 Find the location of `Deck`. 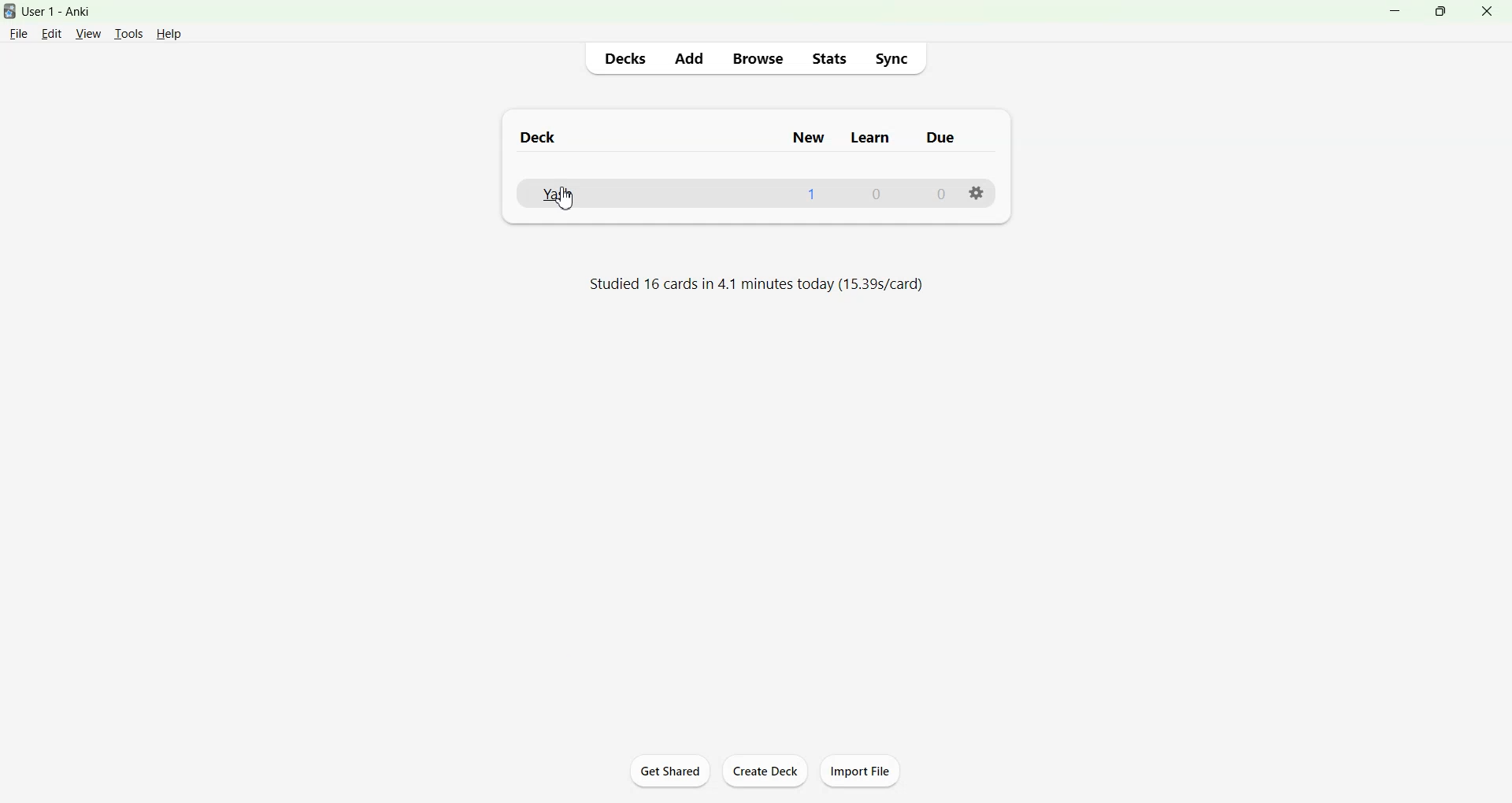

Deck is located at coordinates (538, 138).